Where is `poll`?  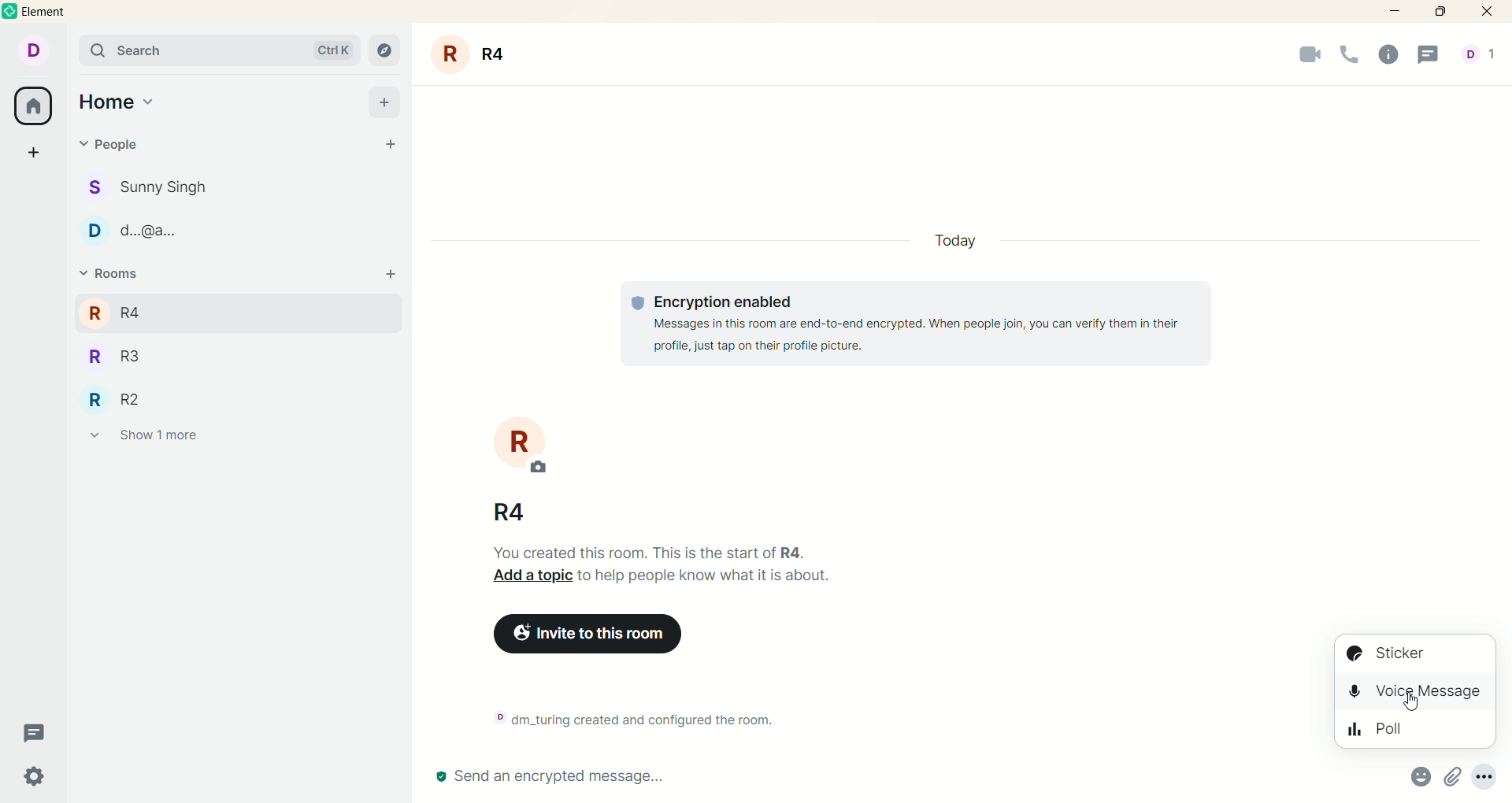 poll is located at coordinates (1416, 734).